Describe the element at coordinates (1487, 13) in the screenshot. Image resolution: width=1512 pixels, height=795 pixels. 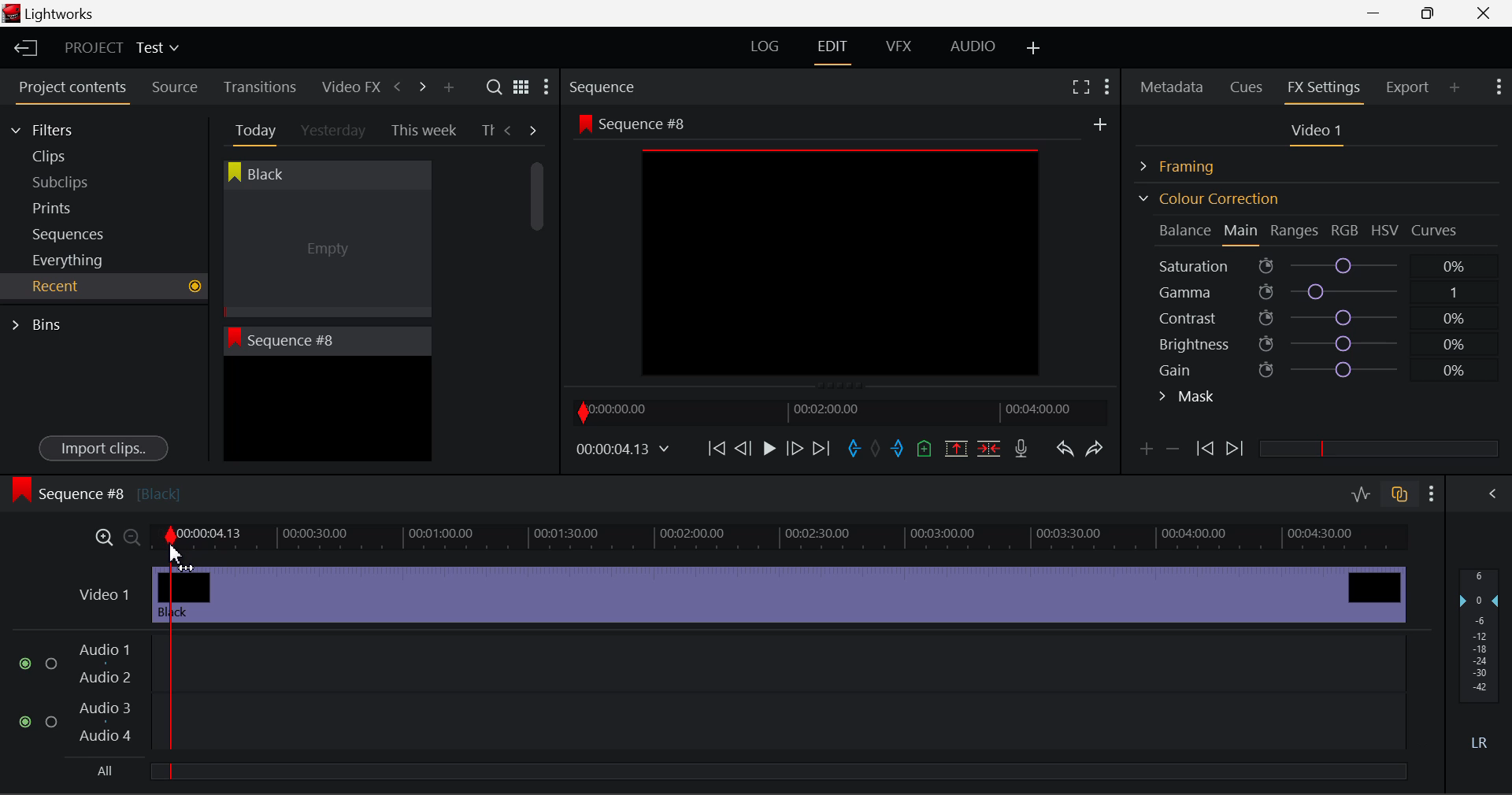
I see `Close` at that location.